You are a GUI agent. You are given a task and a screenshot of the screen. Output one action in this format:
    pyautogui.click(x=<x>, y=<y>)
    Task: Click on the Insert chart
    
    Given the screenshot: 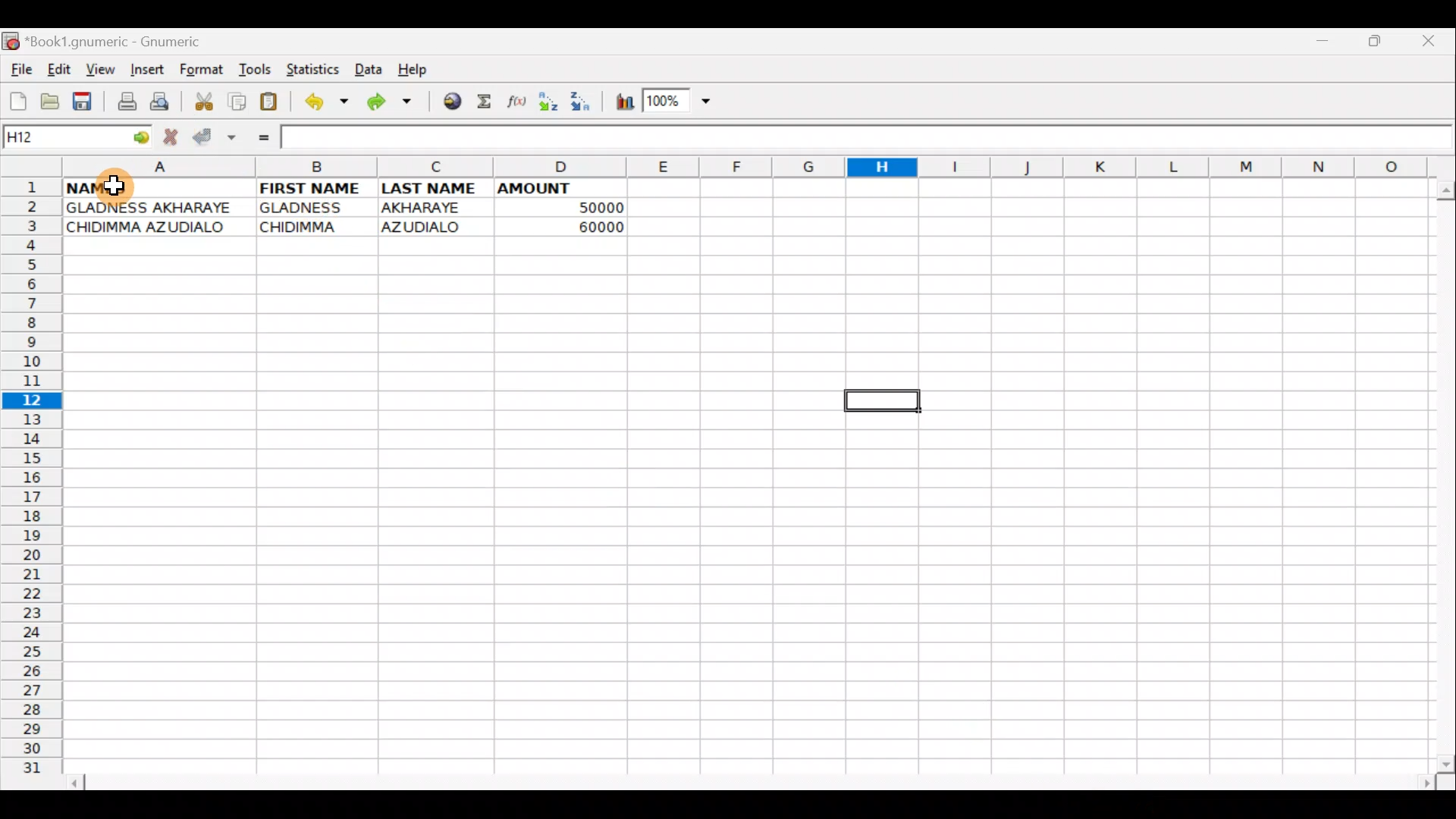 What is the action you would take?
    pyautogui.click(x=624, y=102)
    